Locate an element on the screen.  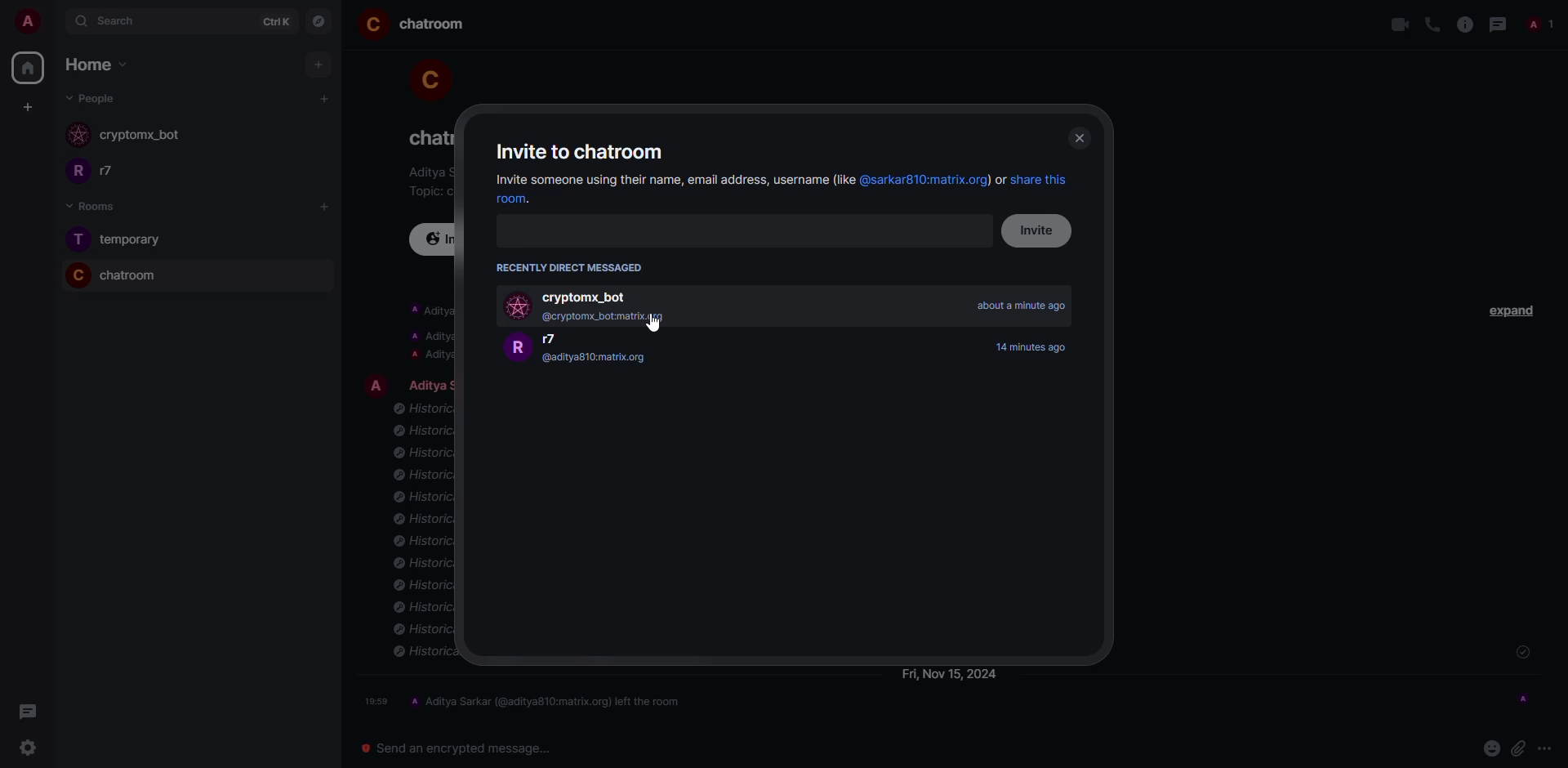
room is located at coordinates (135, 239).